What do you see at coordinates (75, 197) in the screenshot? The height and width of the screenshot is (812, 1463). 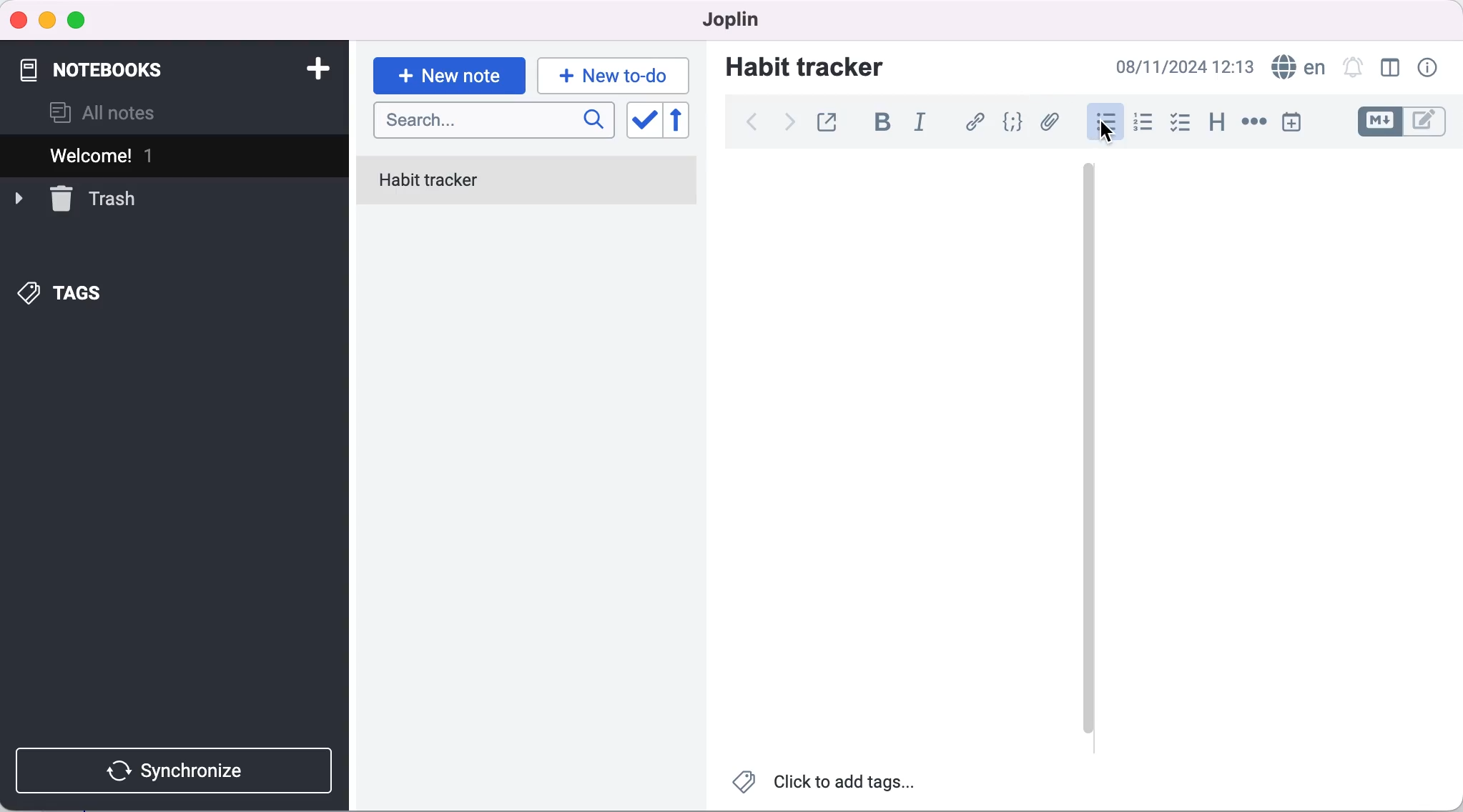 I see `trash` at bounding box center [75, 197].